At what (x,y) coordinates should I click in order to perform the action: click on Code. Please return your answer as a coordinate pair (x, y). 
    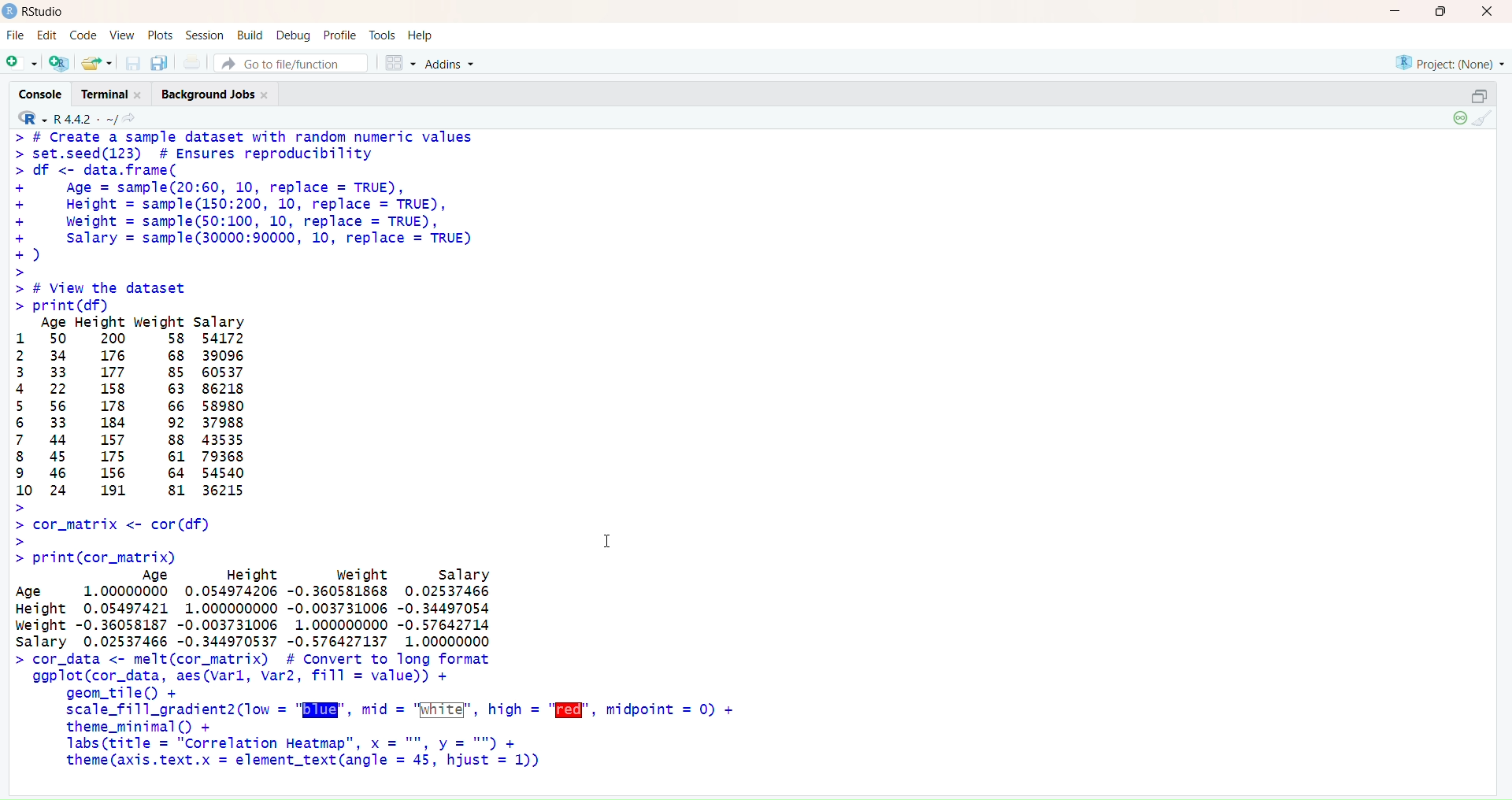
    Looking at the image, I should click on (82, 36).